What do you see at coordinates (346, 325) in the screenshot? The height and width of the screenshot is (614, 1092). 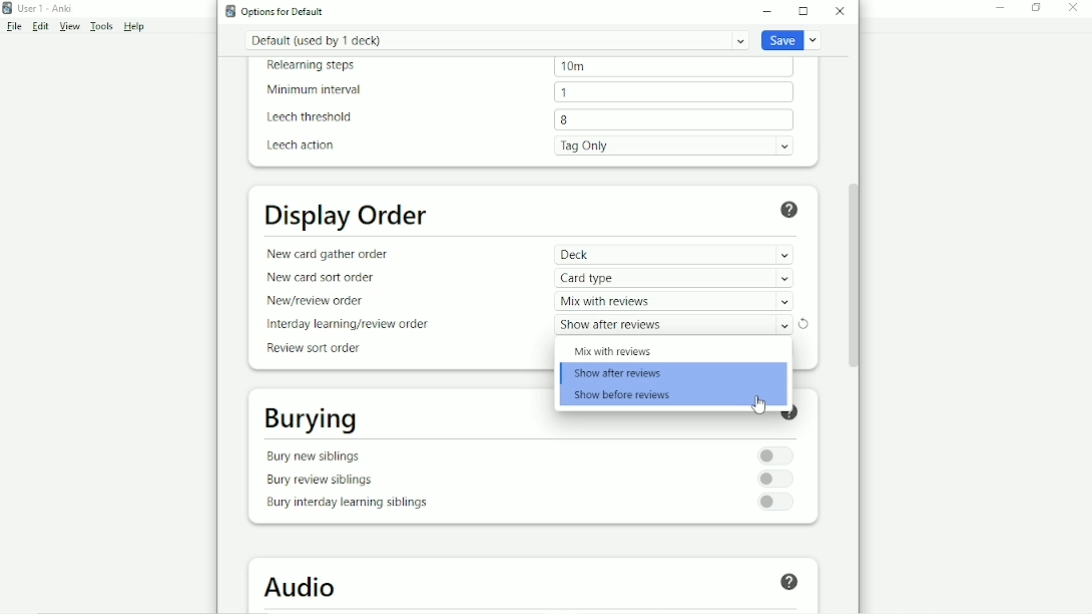 I see `Interday learning/review order` at bounding box center [346, 325].